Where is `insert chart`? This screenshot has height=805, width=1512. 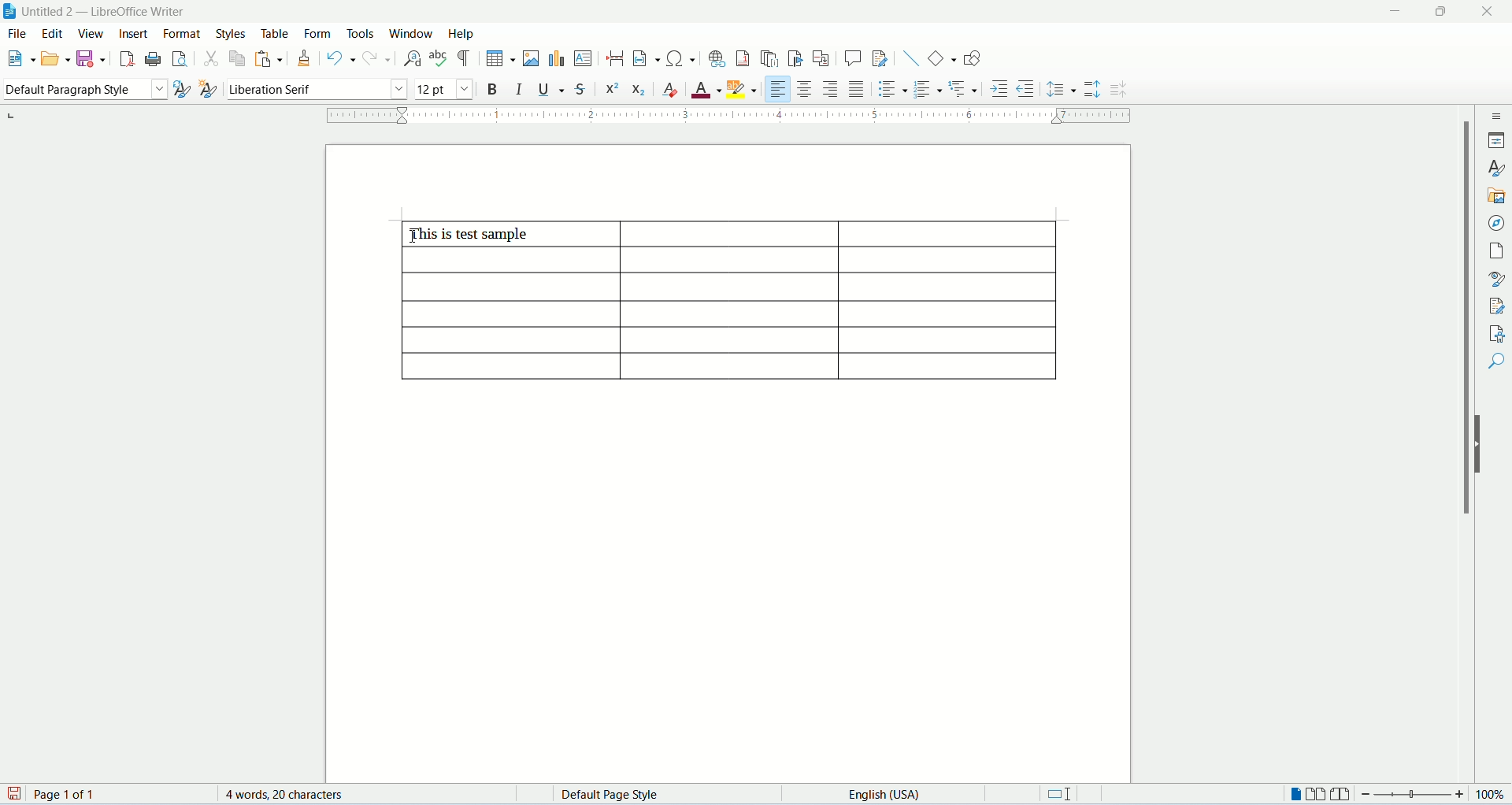
insert chart is located at coordinates (558, 58).